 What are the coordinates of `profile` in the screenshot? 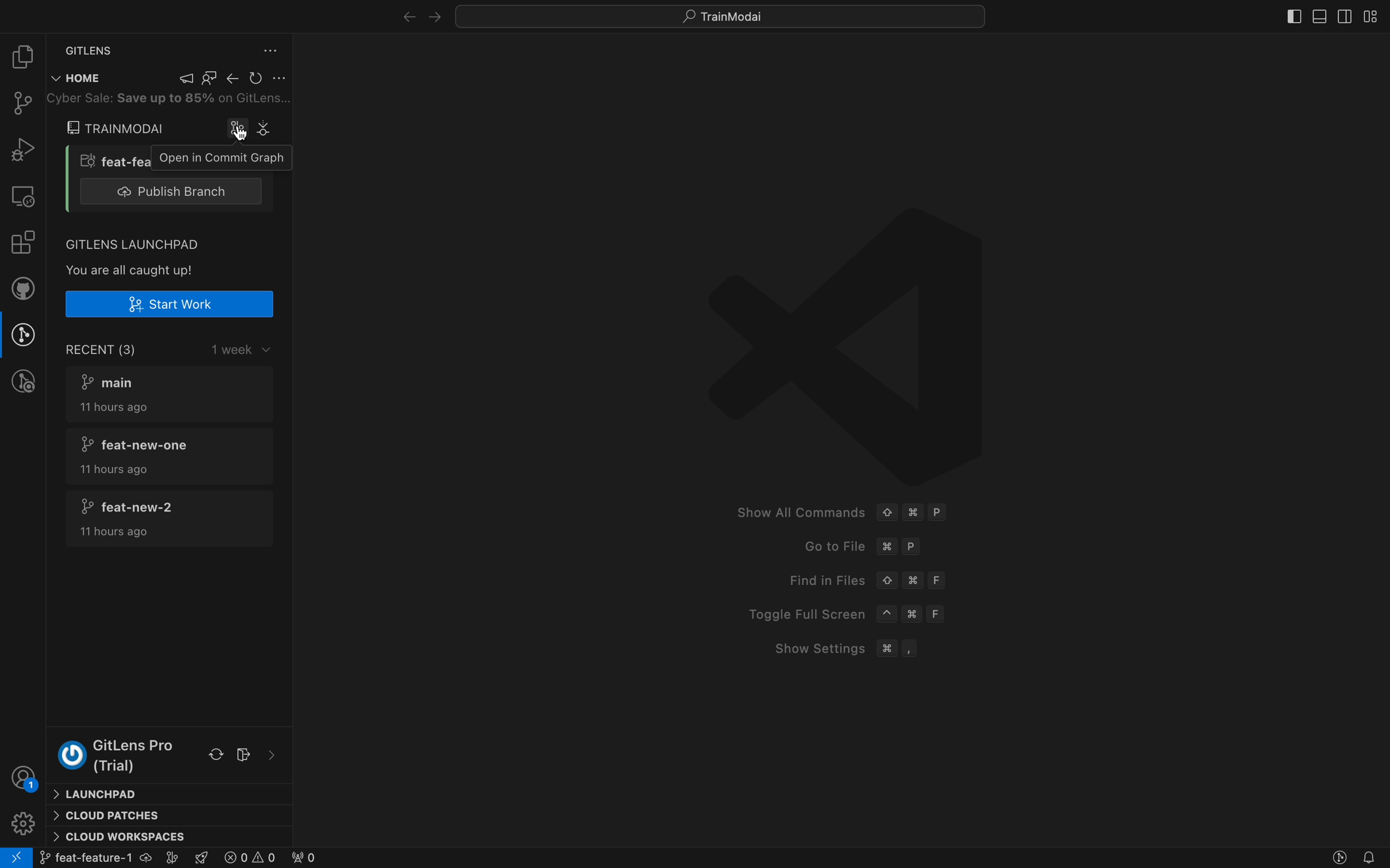 It's located at (25, 780).